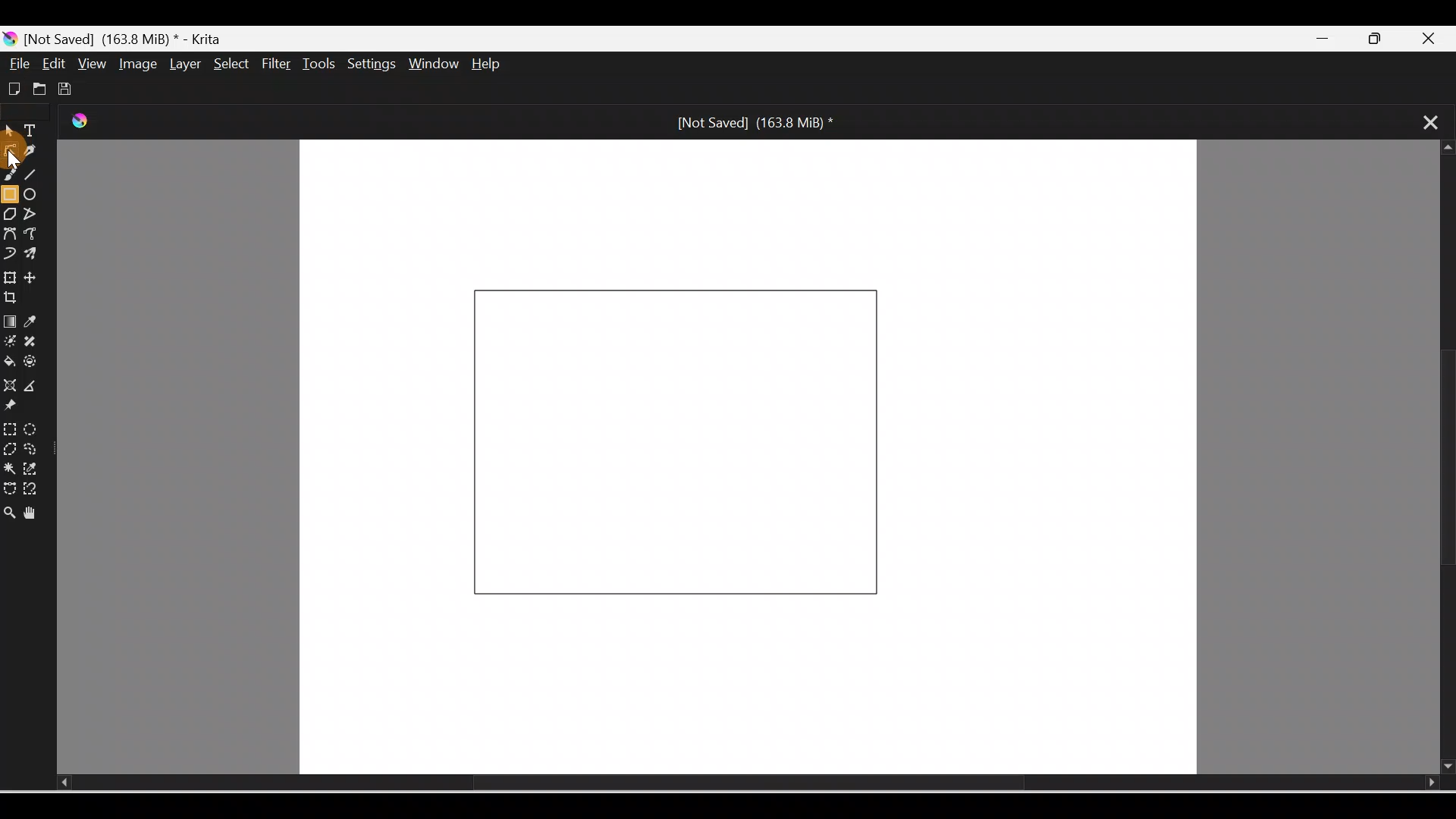  What do you see at coordinates (35, 490) in the screenshot?
I see `Magnetic curve selection tool` at bounding box center [35, 490].